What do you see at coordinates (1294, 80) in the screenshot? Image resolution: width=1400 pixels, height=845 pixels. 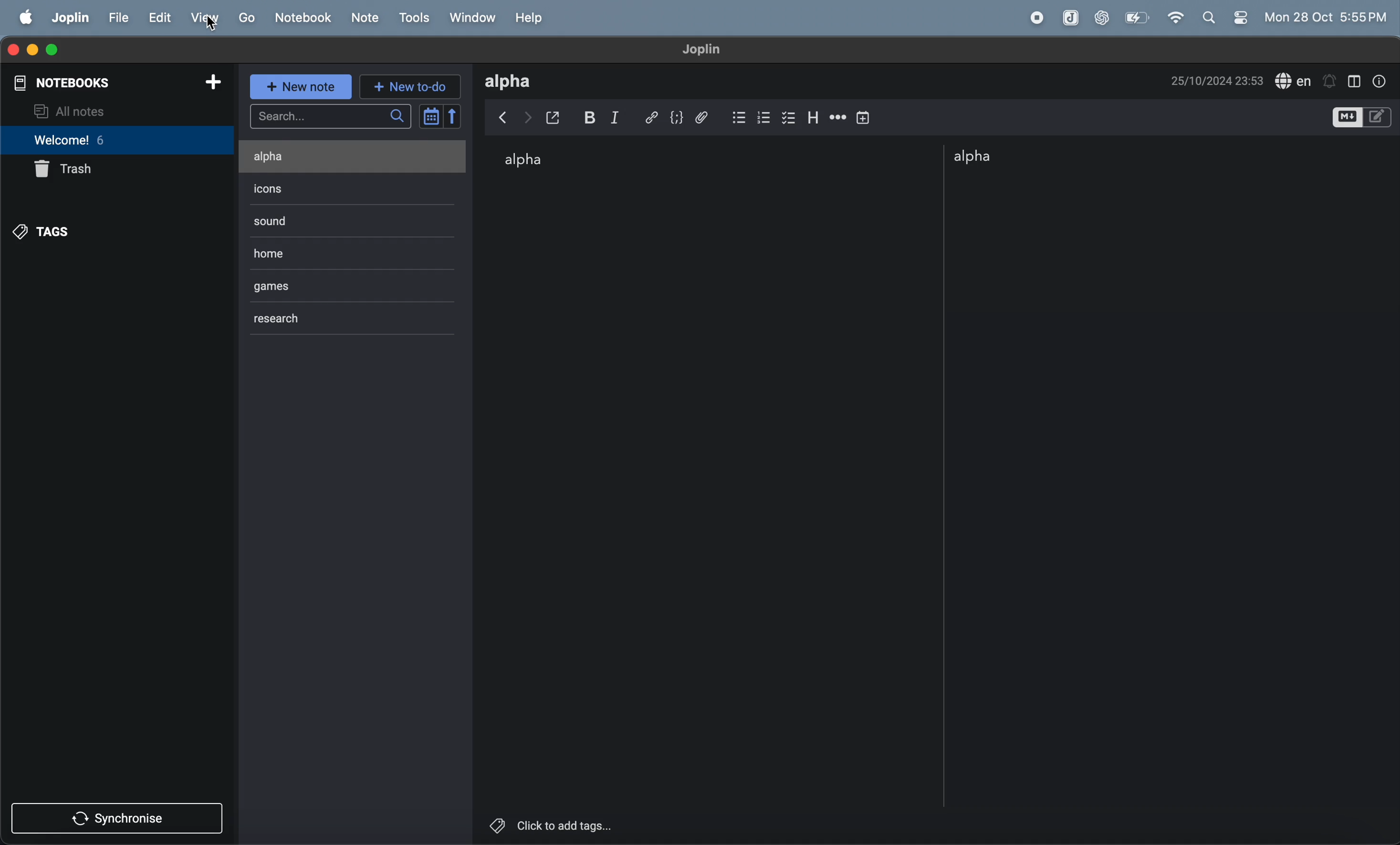 I see `spell check` at bounding box center [1294, 80].